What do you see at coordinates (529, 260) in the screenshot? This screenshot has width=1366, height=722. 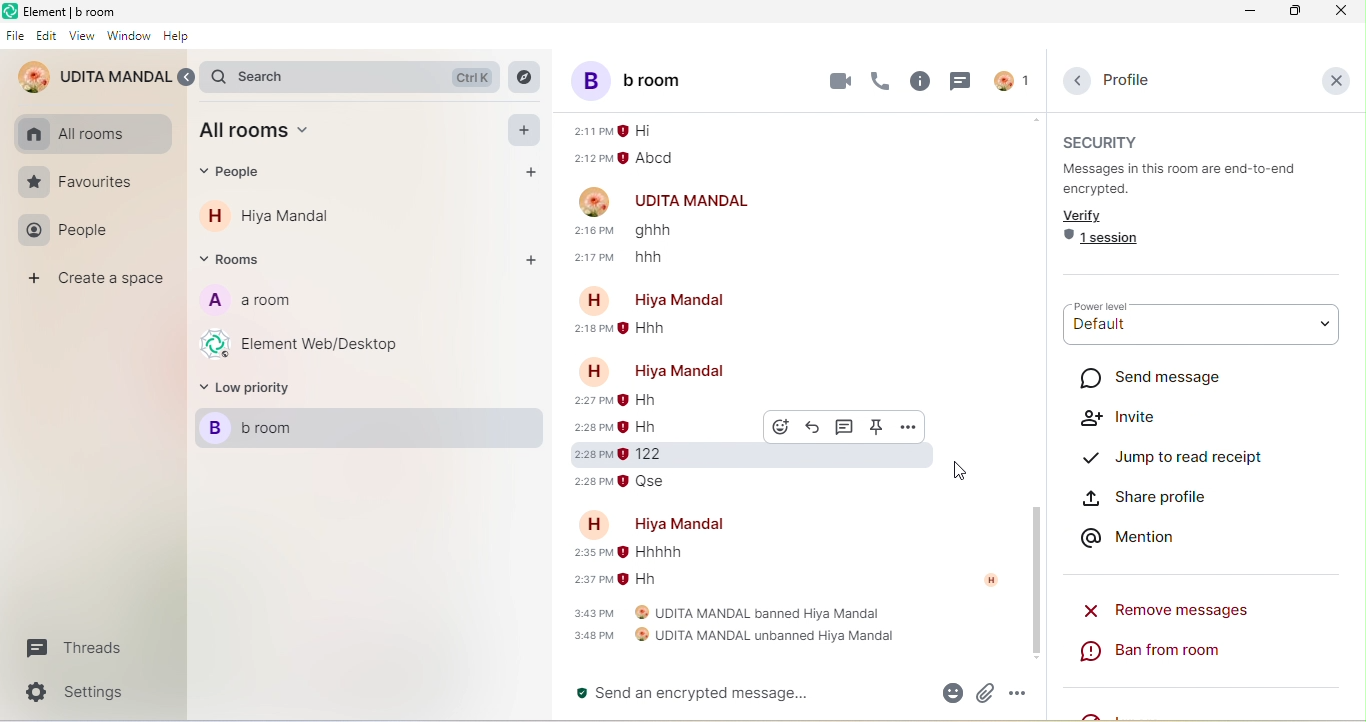 I see `add rooms` at bounding box center [529, 260].